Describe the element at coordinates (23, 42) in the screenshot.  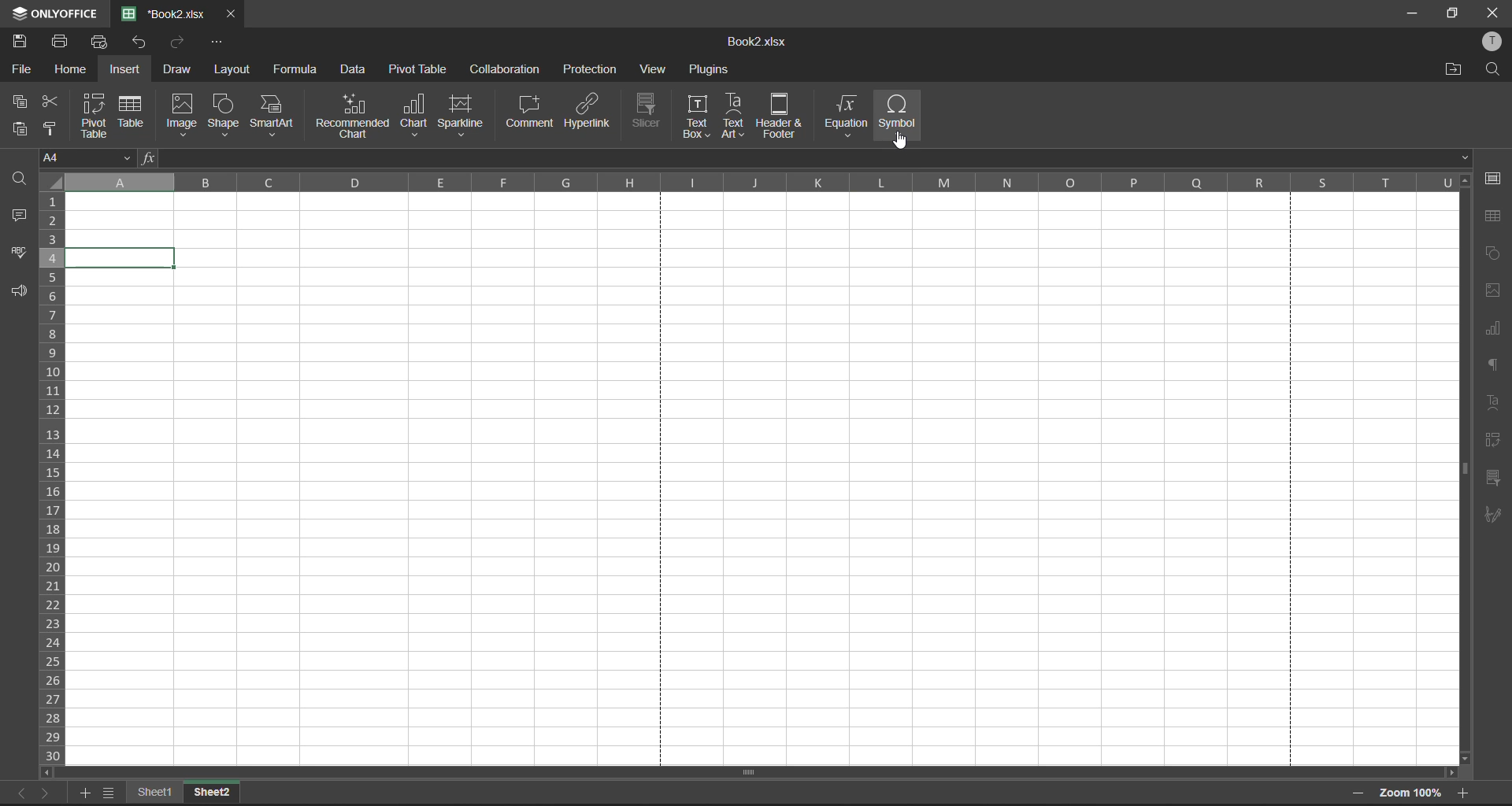
I see `save` at that location.